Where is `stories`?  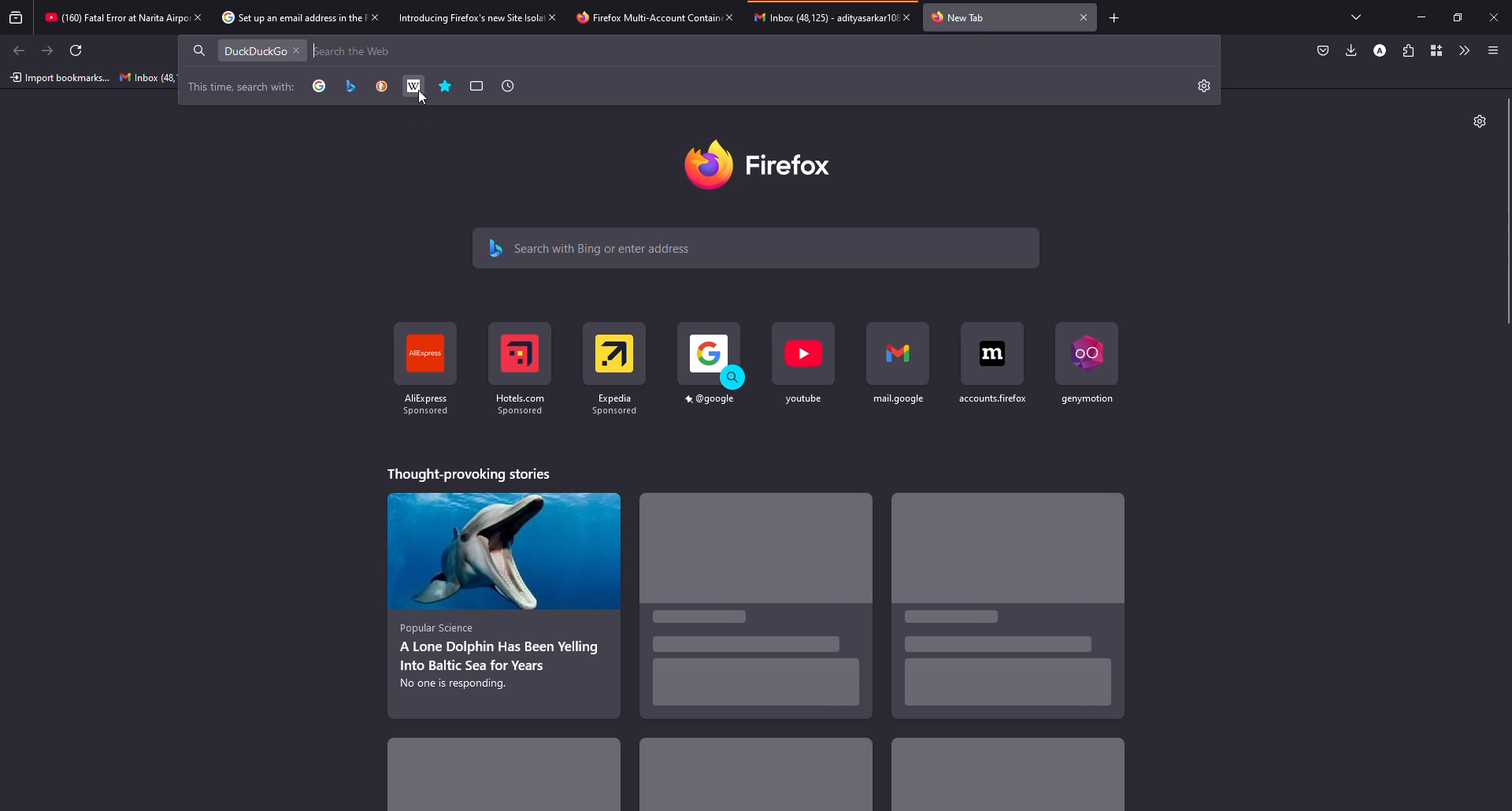 stories is located at coordinates (758, 612).